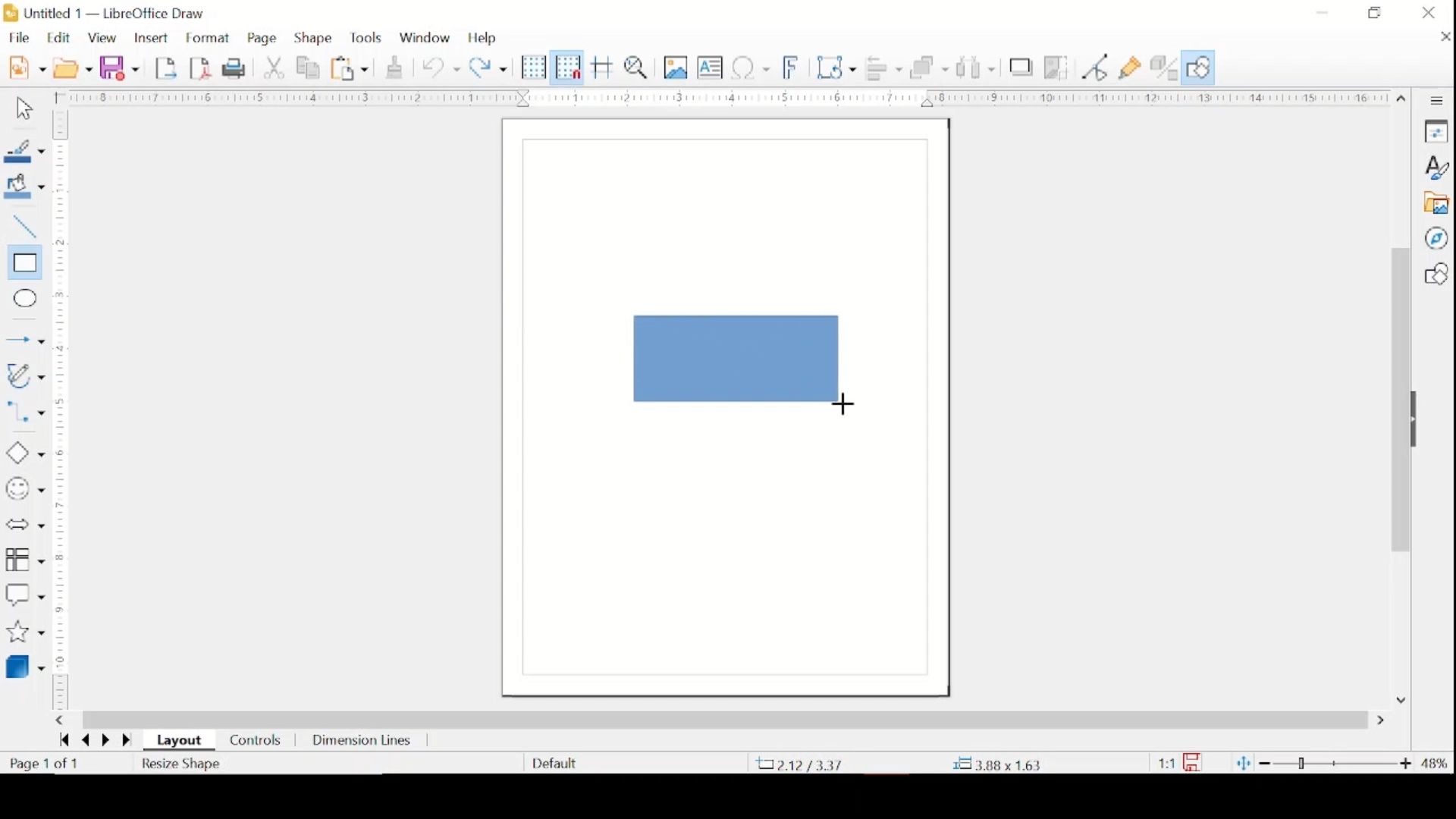 The height and width of the screenshot is (819, 1456). Describe the element at coordinates (725, 719) in the screenshot. I see `scroll box` at that location.